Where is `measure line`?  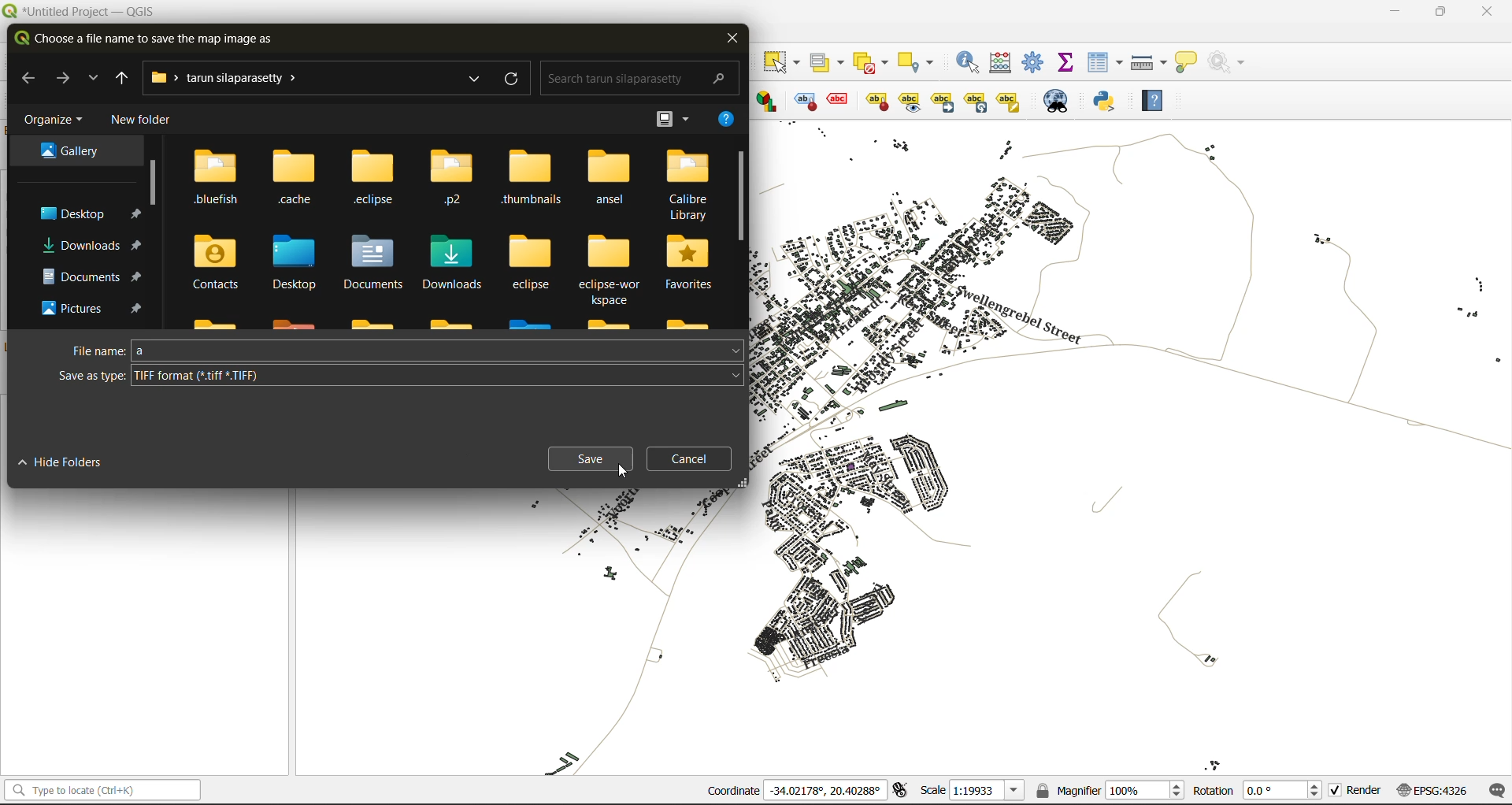 measure line is located at coordinates (1149, 61).